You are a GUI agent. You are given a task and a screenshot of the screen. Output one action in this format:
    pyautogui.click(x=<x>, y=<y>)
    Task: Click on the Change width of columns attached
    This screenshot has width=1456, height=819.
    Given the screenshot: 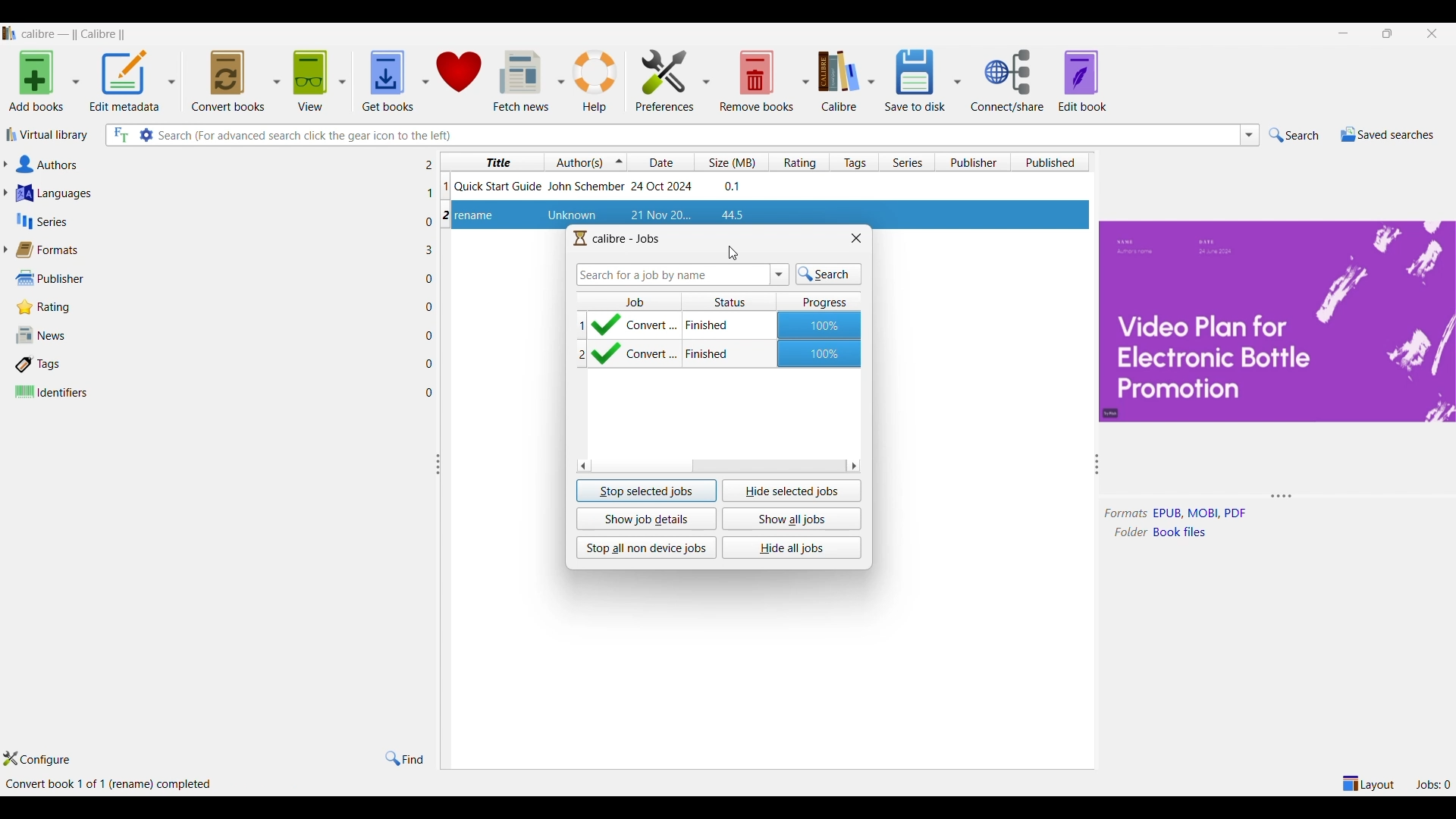 What is the action you would take?
    pyautogui.click(x=444, y=549)
    